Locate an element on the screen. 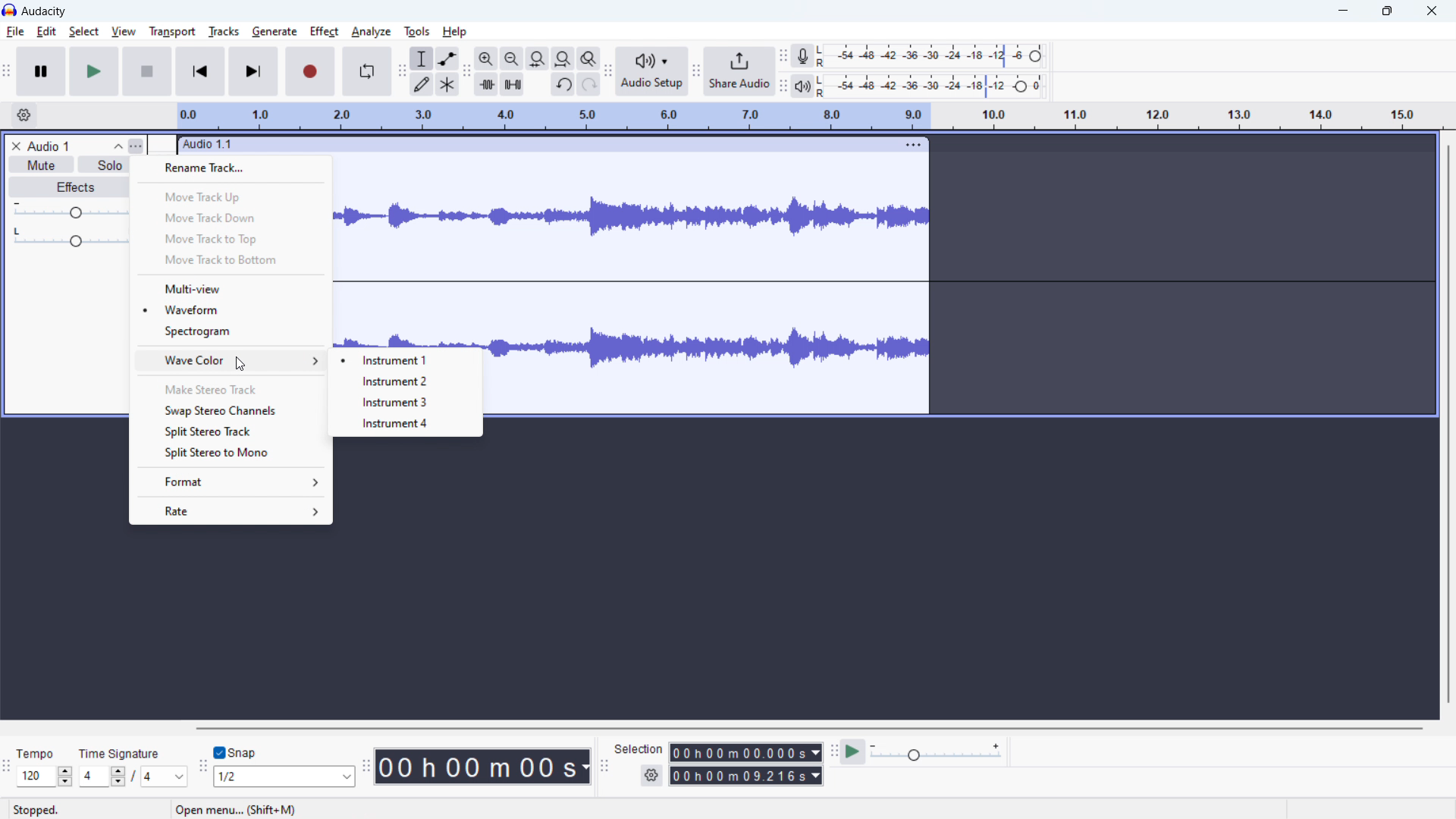 This screenshot has width=1456, height=819. playback level is located at coordinates (931, 86).